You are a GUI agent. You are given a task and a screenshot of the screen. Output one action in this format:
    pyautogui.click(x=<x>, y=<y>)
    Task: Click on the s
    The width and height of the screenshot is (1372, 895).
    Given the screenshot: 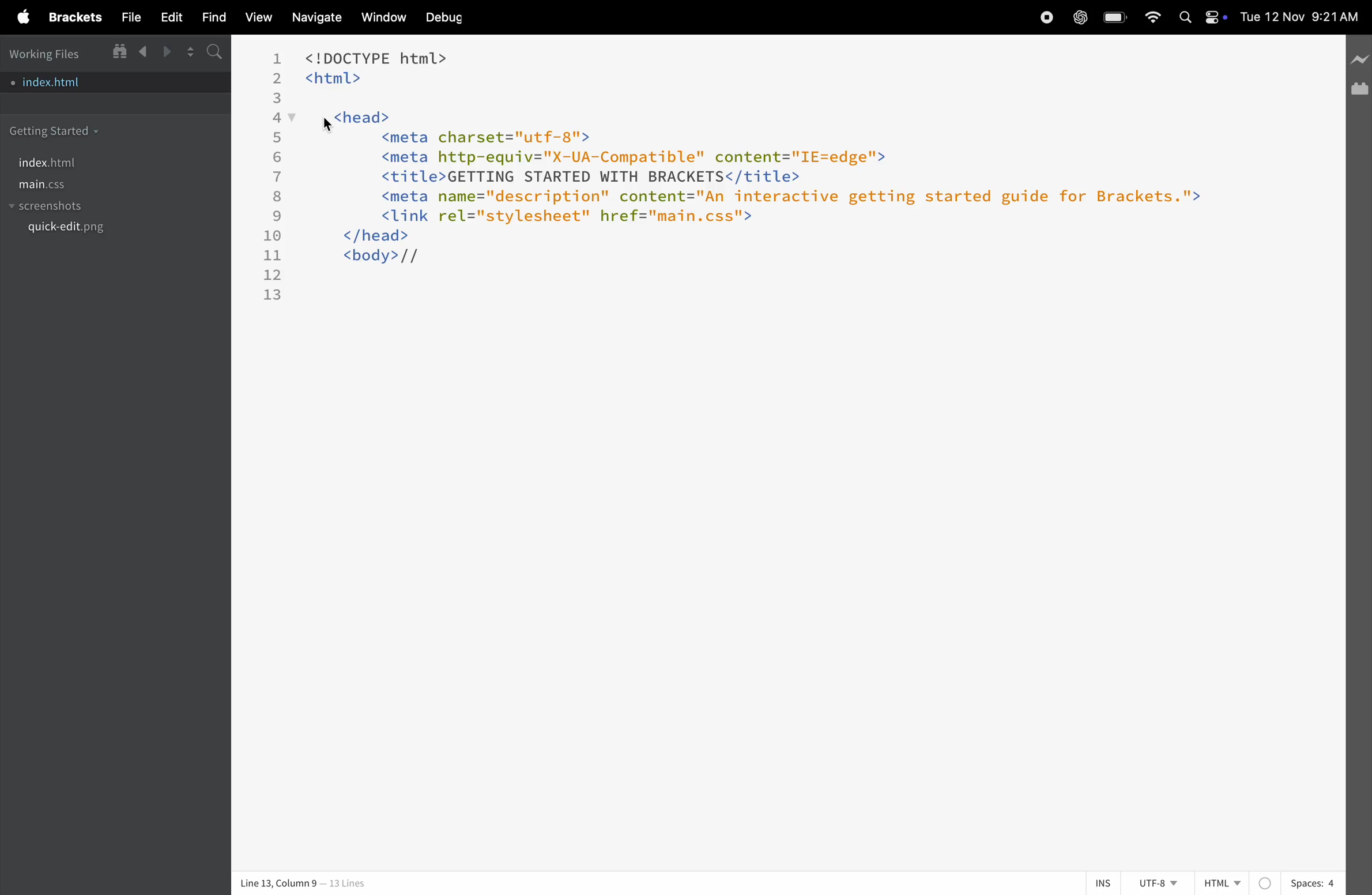 What is the action you would take?
    pyautogui.click(x=213, y=52)
    